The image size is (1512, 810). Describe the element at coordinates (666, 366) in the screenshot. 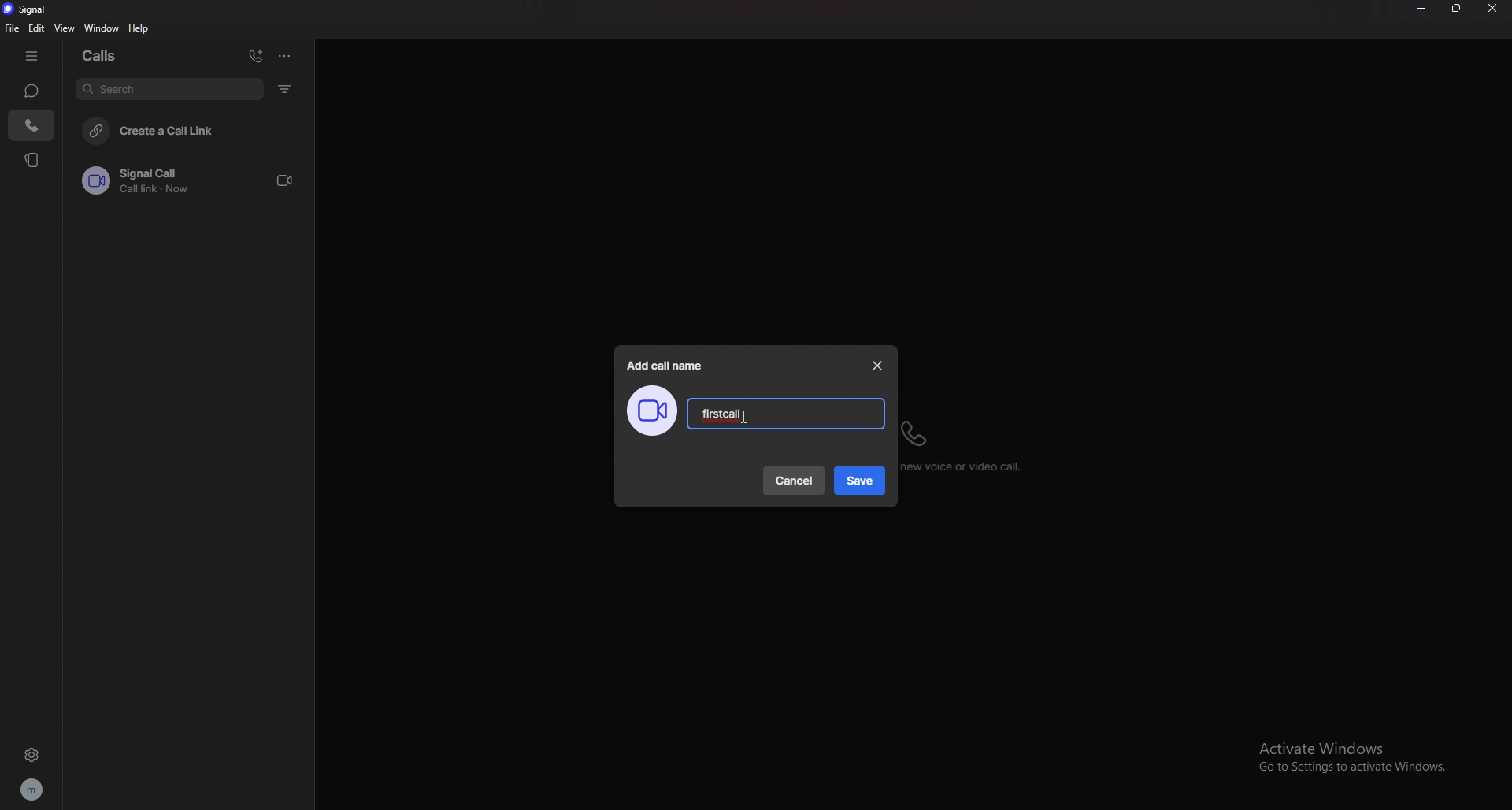

I see `add call name` at that location.